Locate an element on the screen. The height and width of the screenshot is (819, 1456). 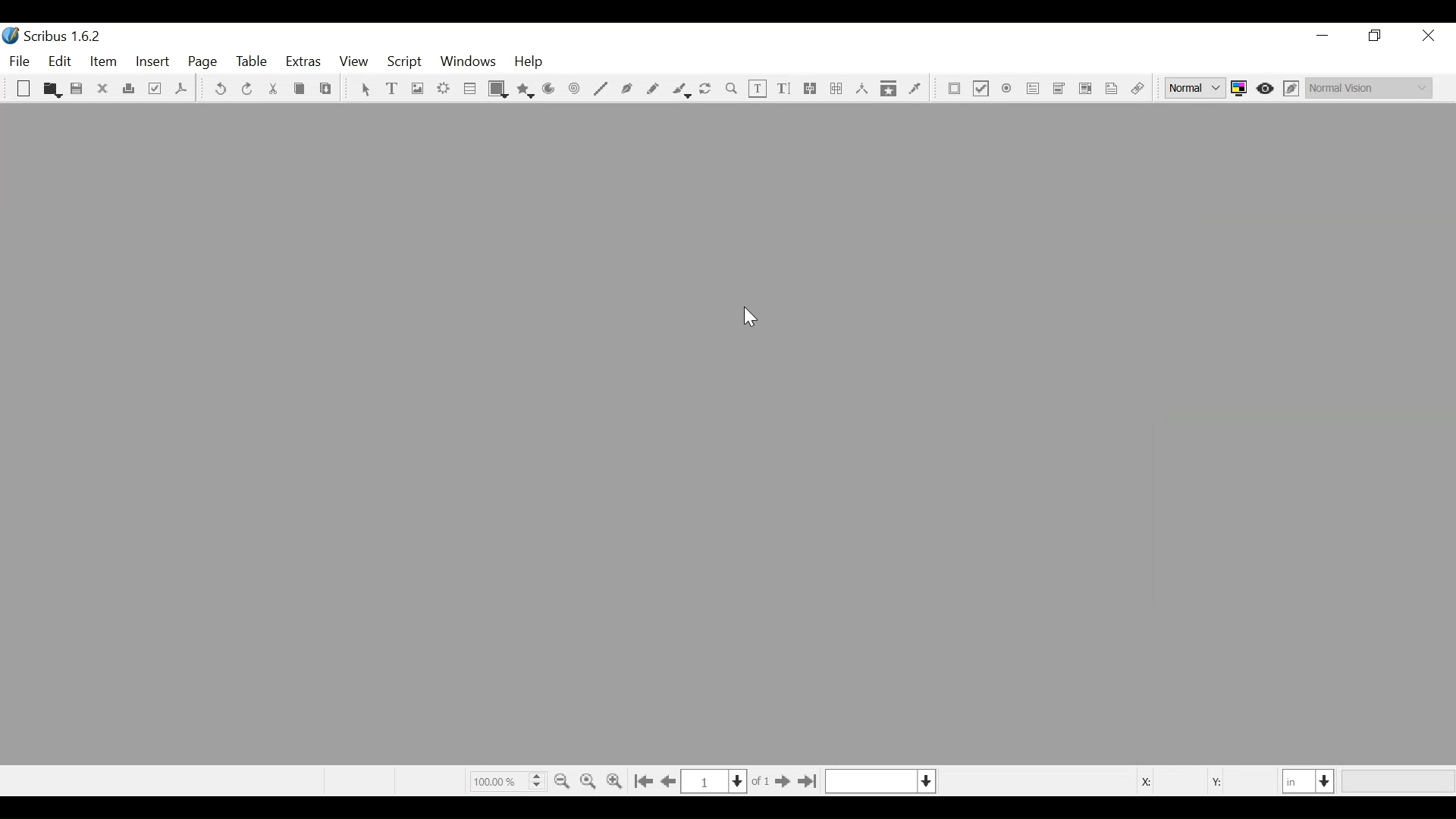
File is located at coordinates (22, 61).